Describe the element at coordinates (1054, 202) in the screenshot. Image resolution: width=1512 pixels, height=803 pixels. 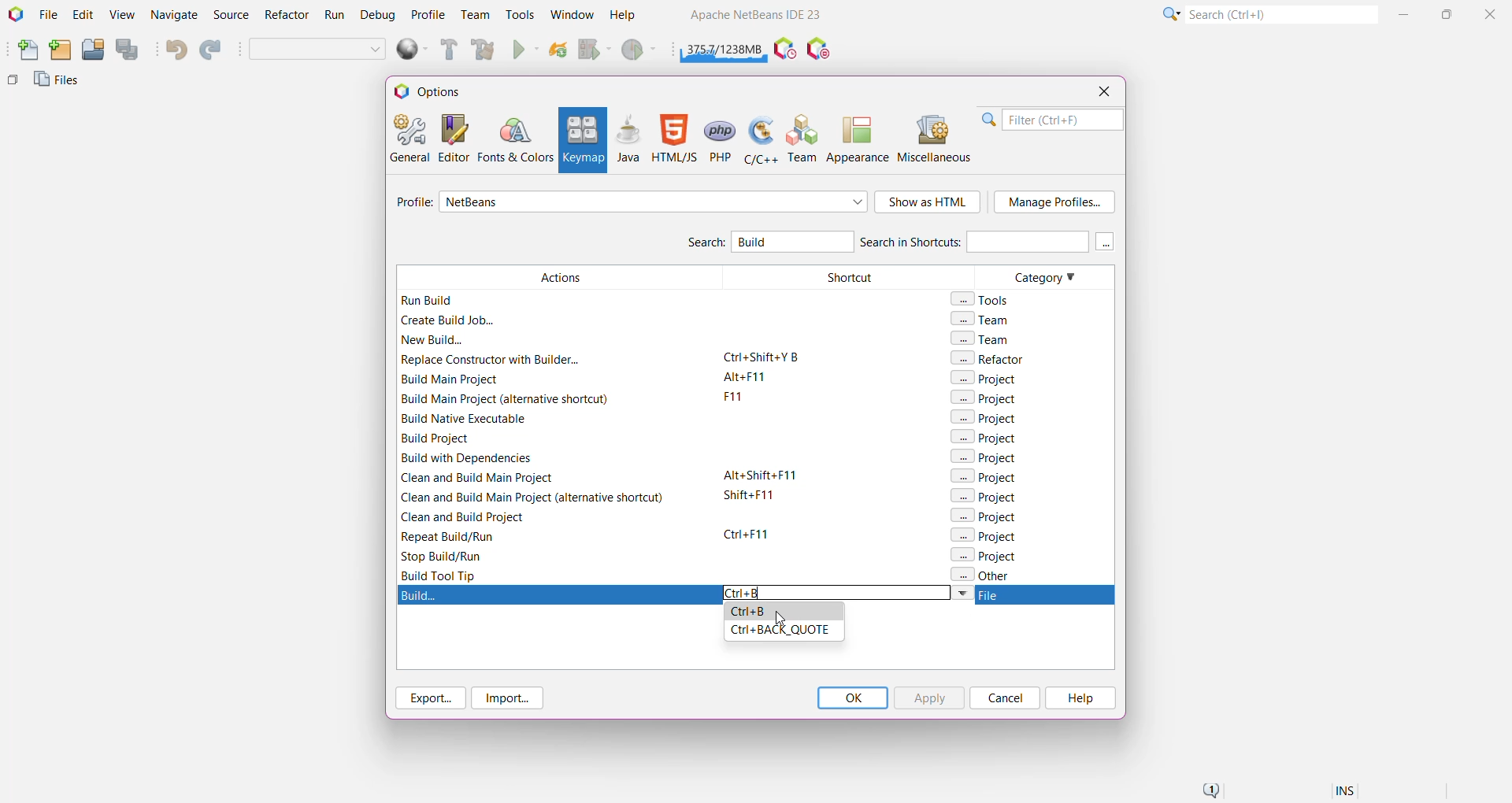
I see `Manage Profile` at that location.